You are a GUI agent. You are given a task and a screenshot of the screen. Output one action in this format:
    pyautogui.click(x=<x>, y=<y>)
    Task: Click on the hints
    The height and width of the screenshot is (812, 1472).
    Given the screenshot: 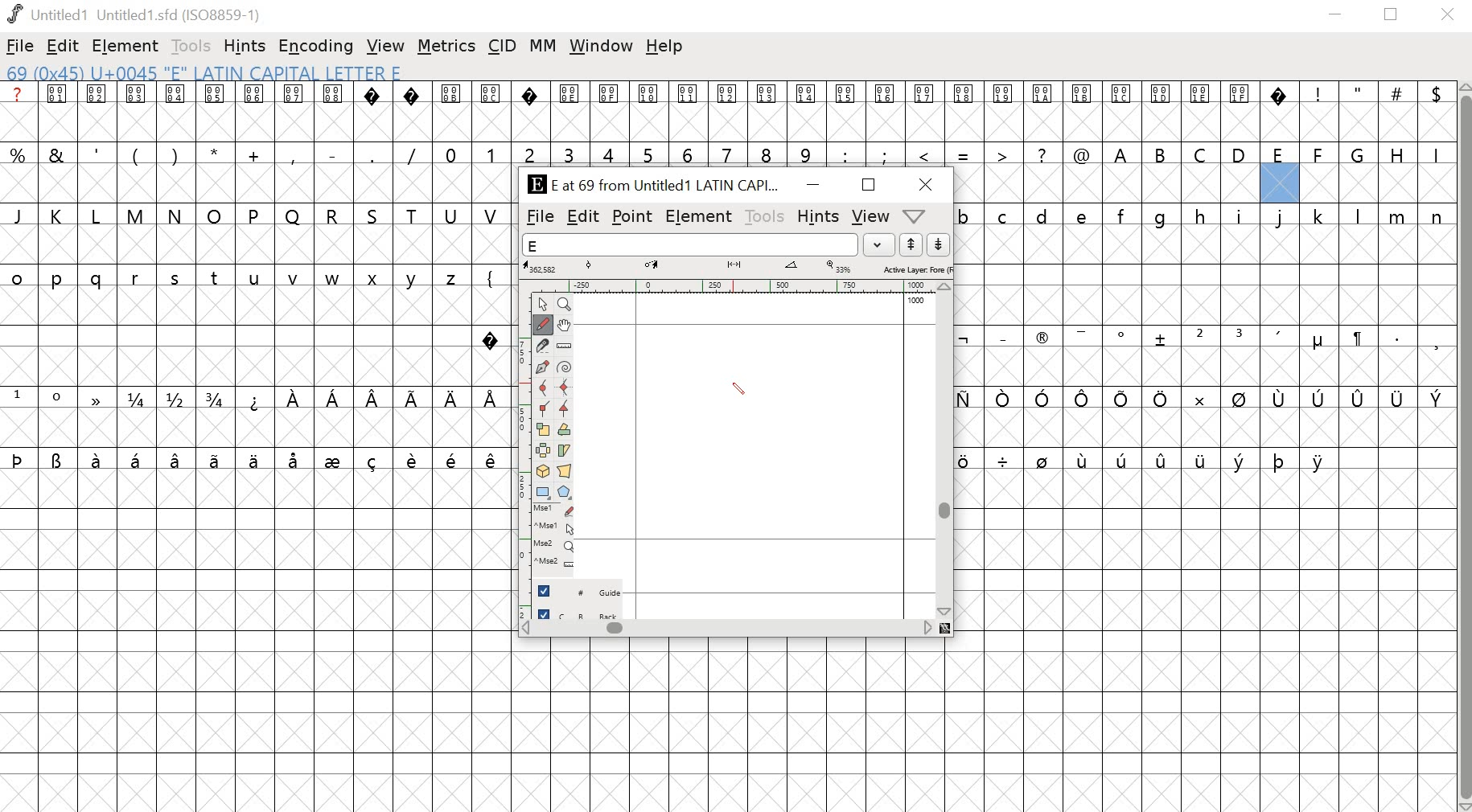 What is the action you would take?
    pyautogui.click(x=818, y=216)
    